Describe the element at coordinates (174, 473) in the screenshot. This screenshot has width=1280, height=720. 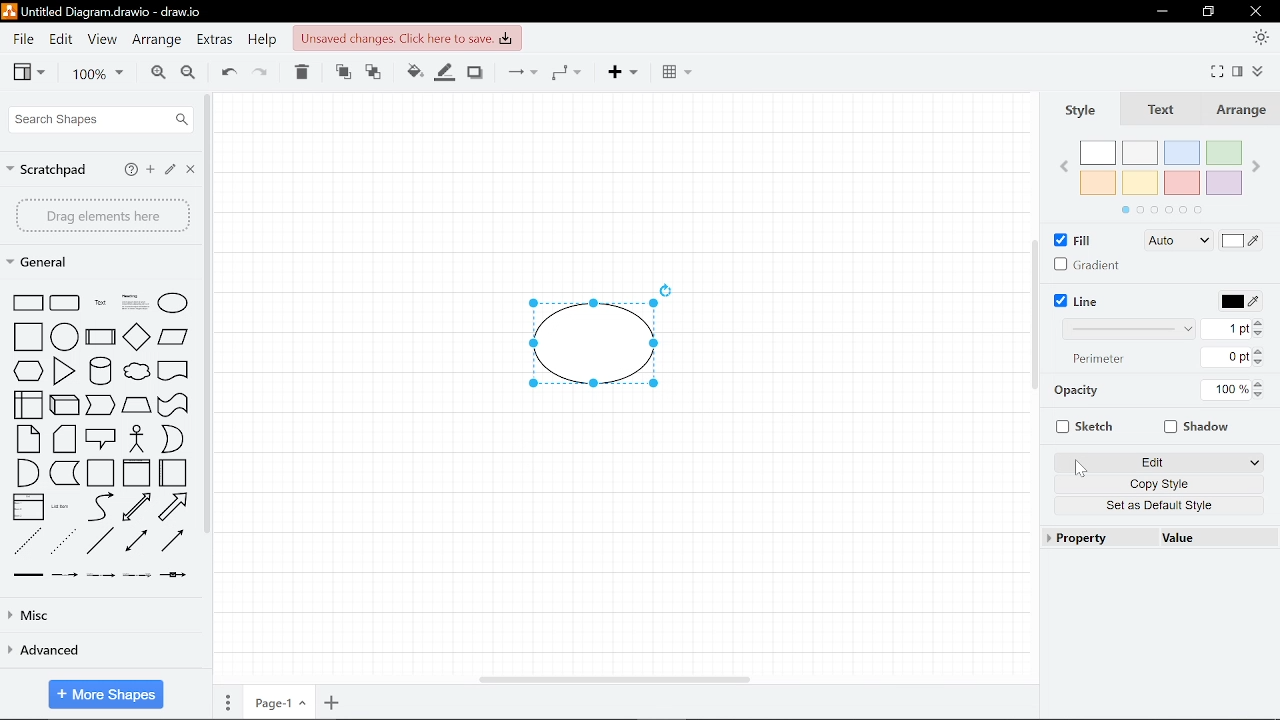
I see `horizontal container` at that location.